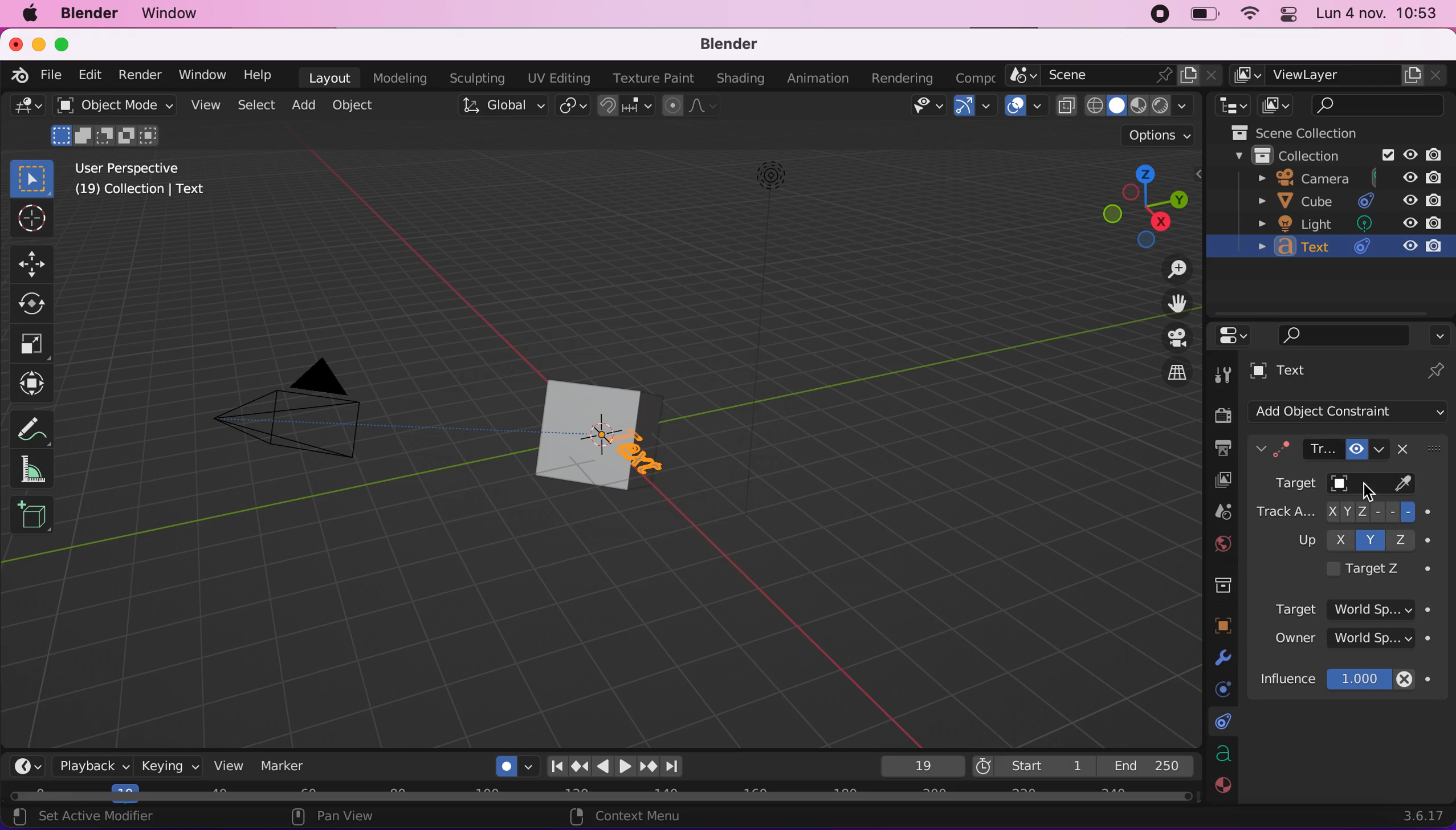 The width and height of the screenshot is (1456, 830). I want to click on move the view, so click(1177, 304).